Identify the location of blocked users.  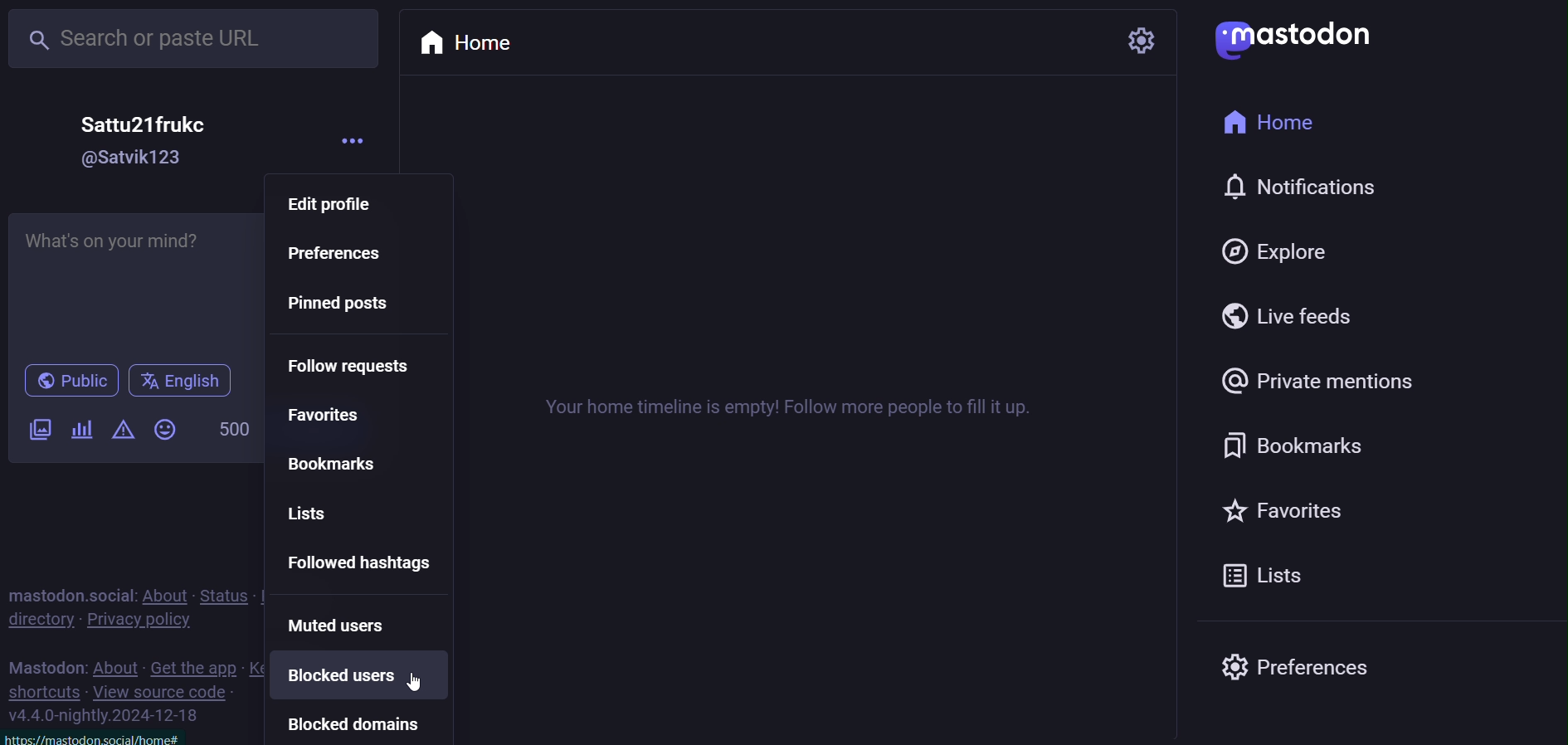
(356, 676).